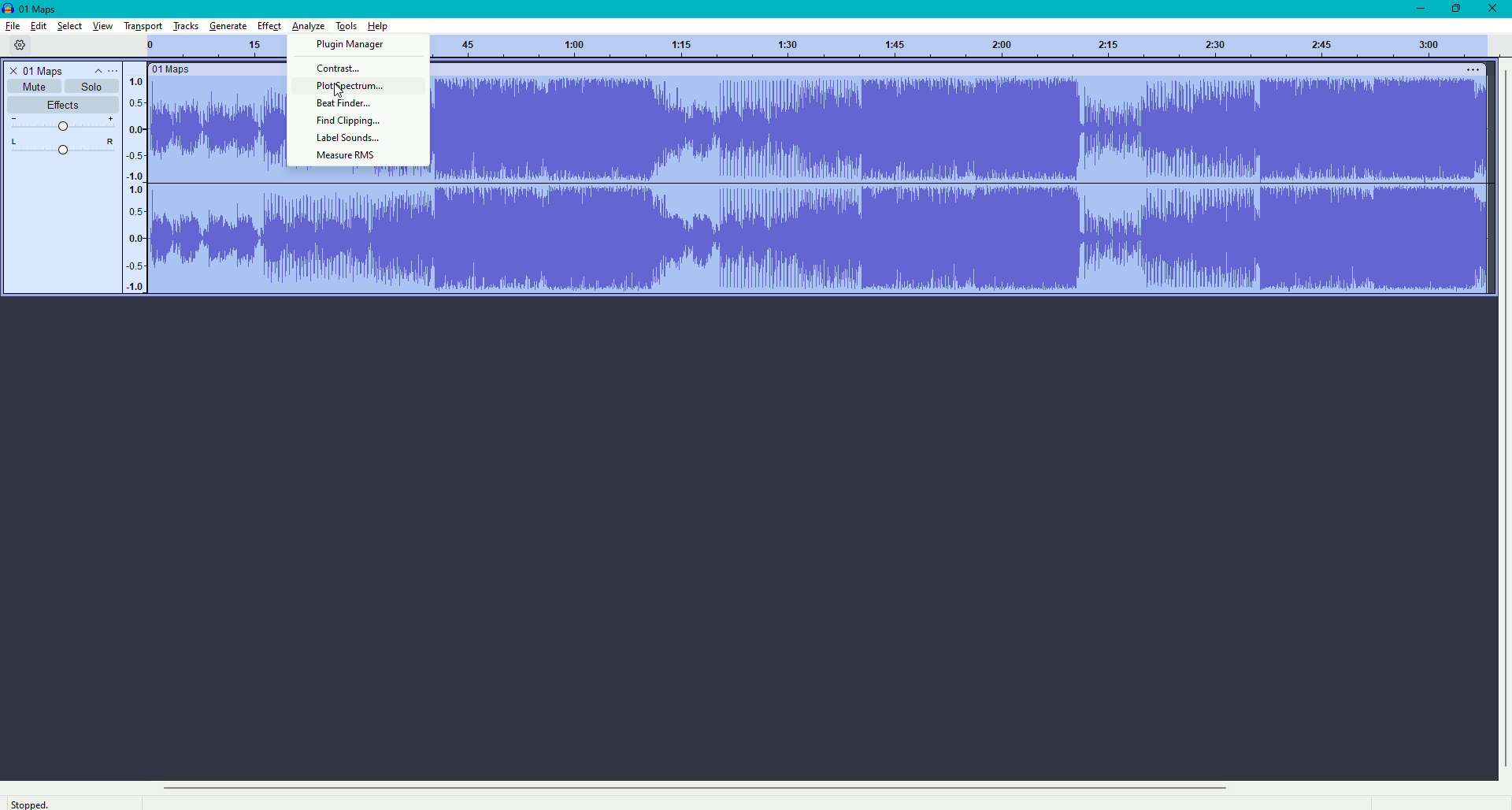  Describe the element at coordinates (213, 46) in the screenshot. I see `Track numbers` at that location.